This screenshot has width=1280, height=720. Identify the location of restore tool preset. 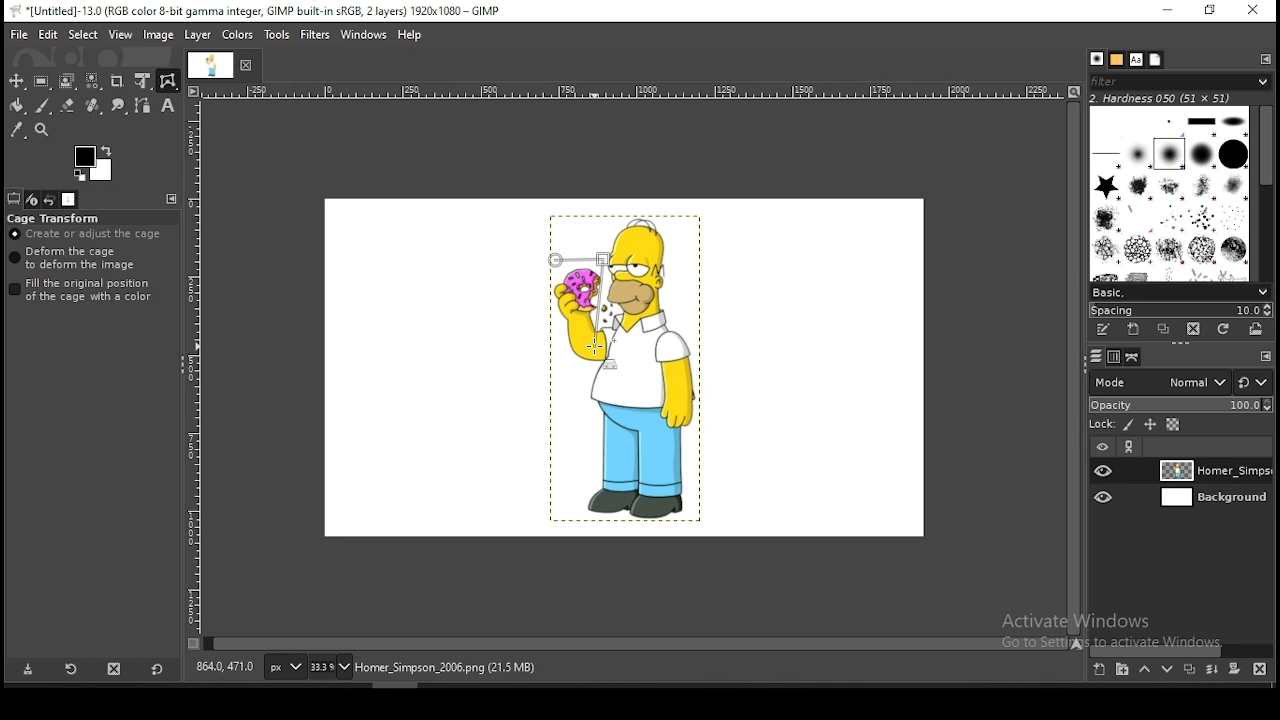
(72, 670).